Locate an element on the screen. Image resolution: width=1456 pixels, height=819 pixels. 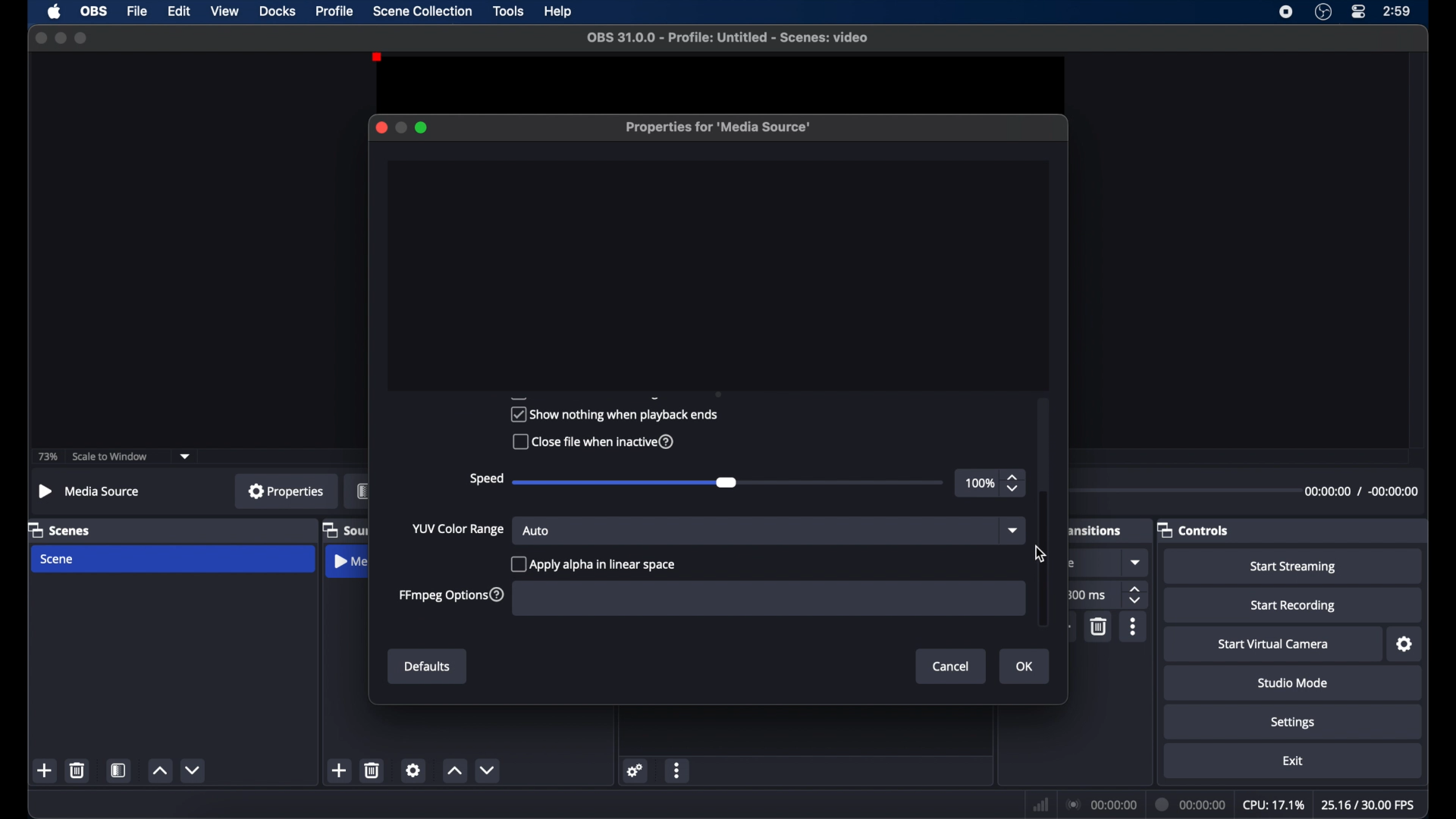
settings is located at coordinates (1406, 645).